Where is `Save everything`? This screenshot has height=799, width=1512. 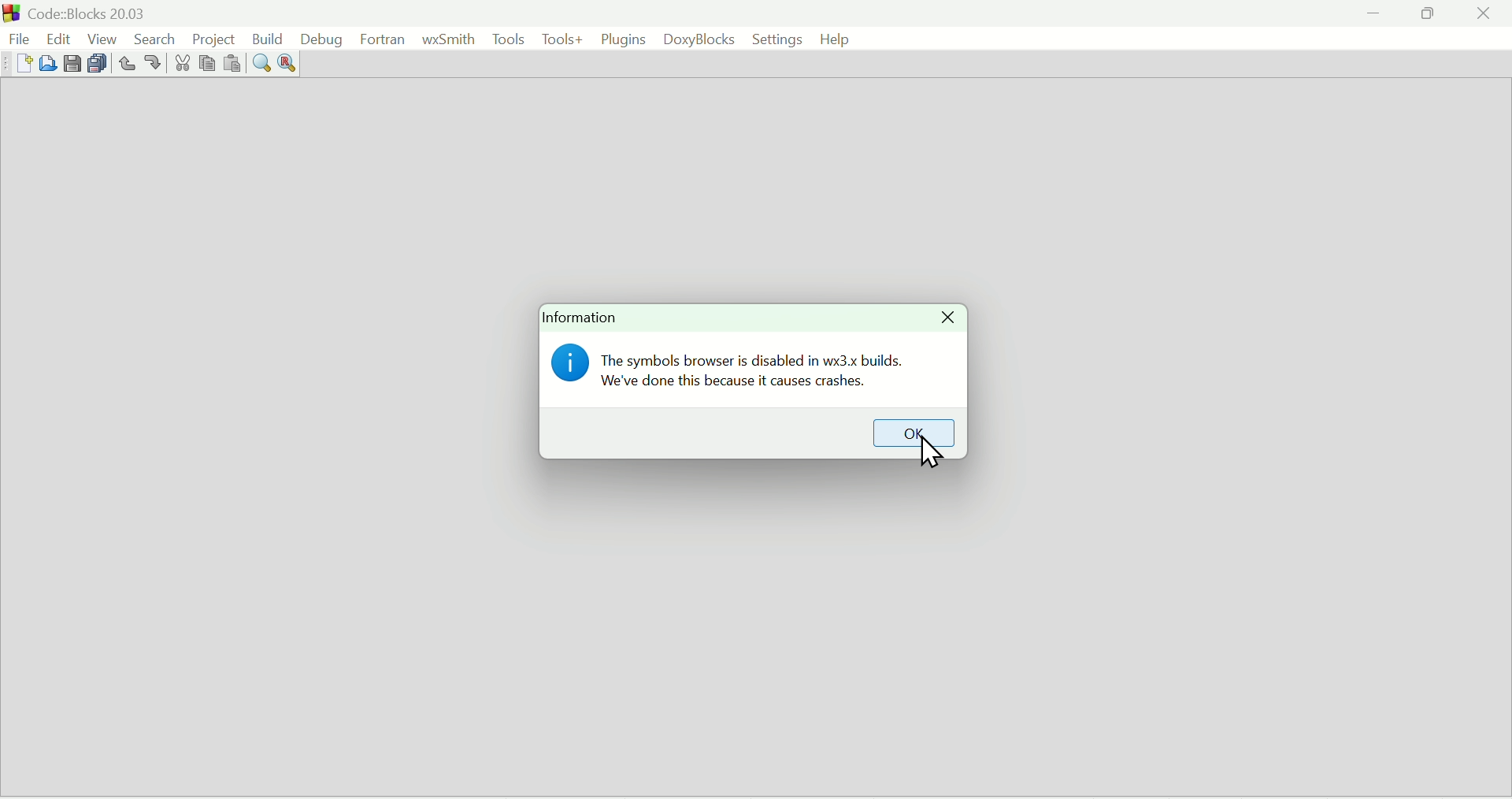
Save everything is located at coordinates (97, 63).